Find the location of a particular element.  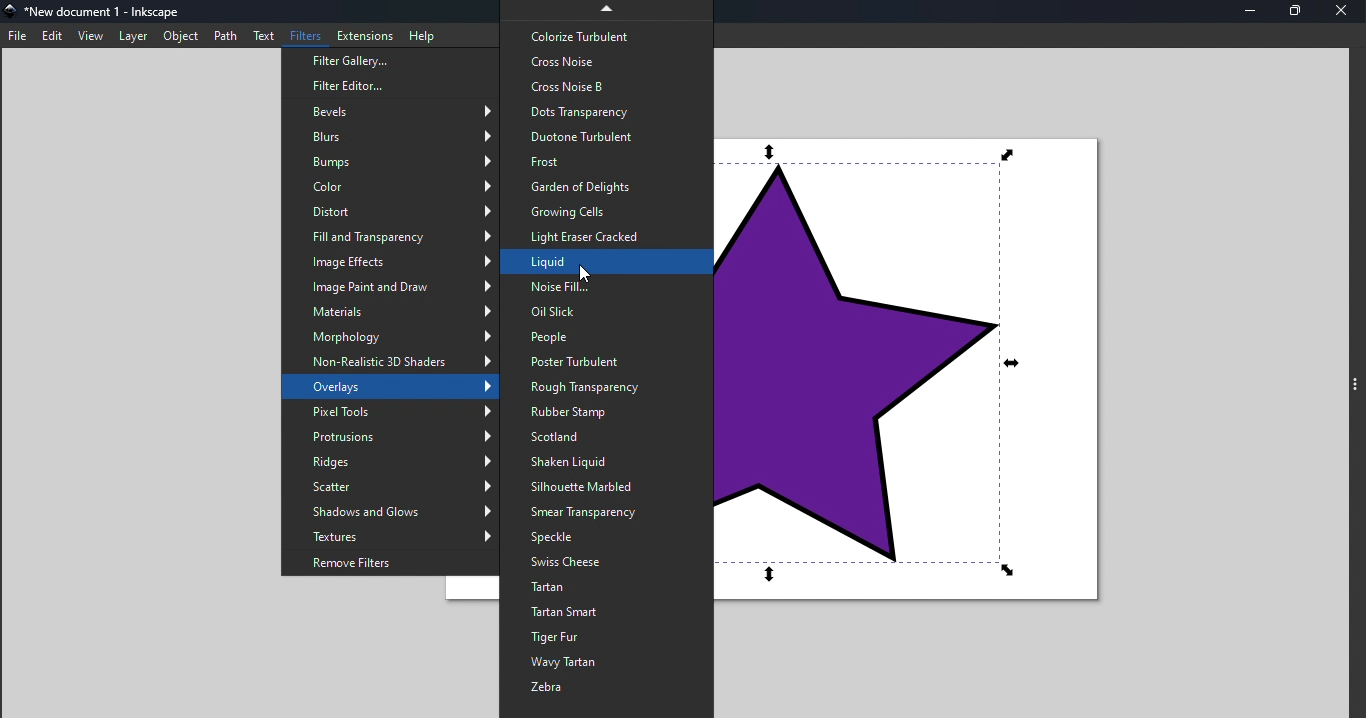

Overlays is located at coordinates (393, 386).